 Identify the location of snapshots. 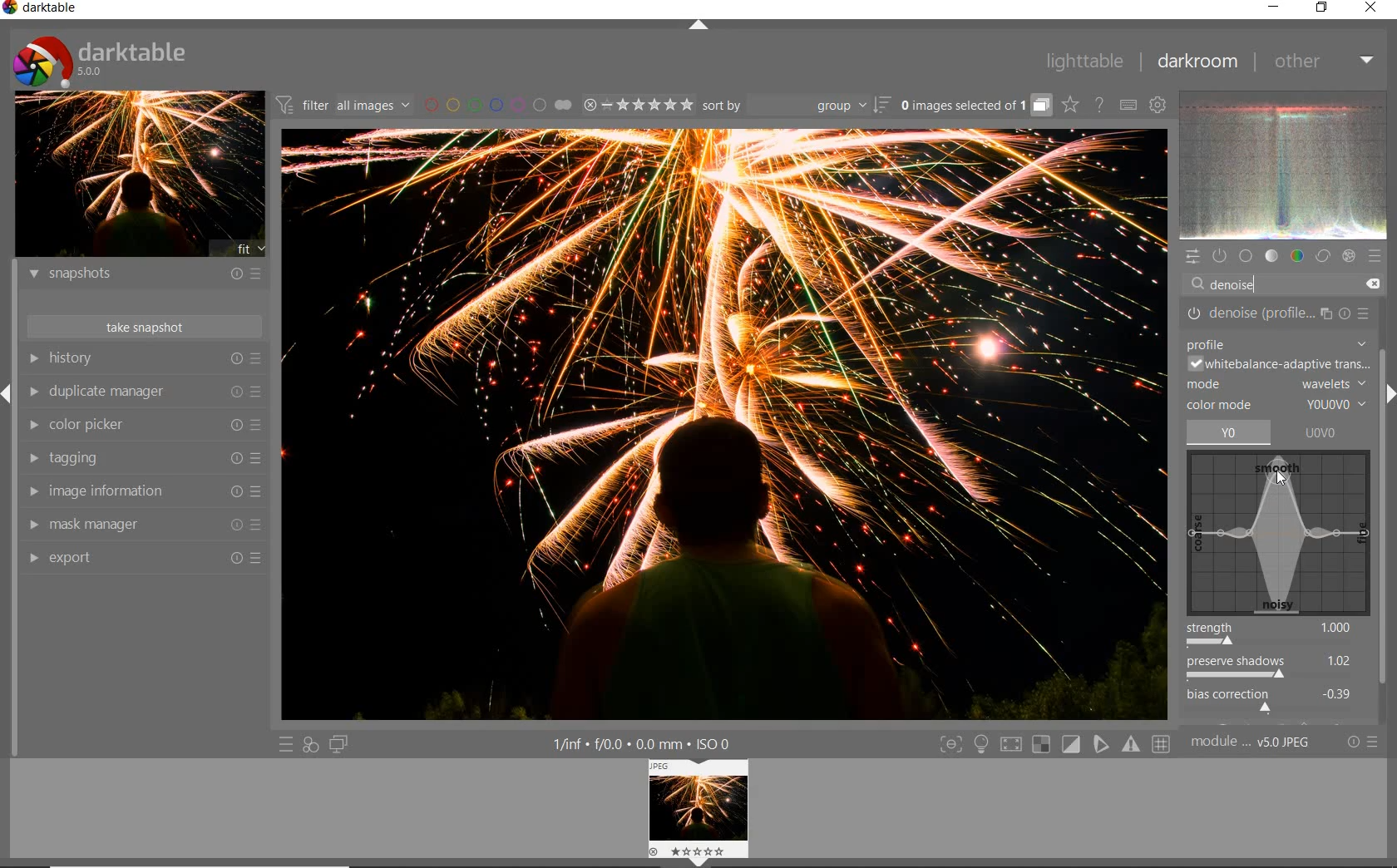
(143, 274).